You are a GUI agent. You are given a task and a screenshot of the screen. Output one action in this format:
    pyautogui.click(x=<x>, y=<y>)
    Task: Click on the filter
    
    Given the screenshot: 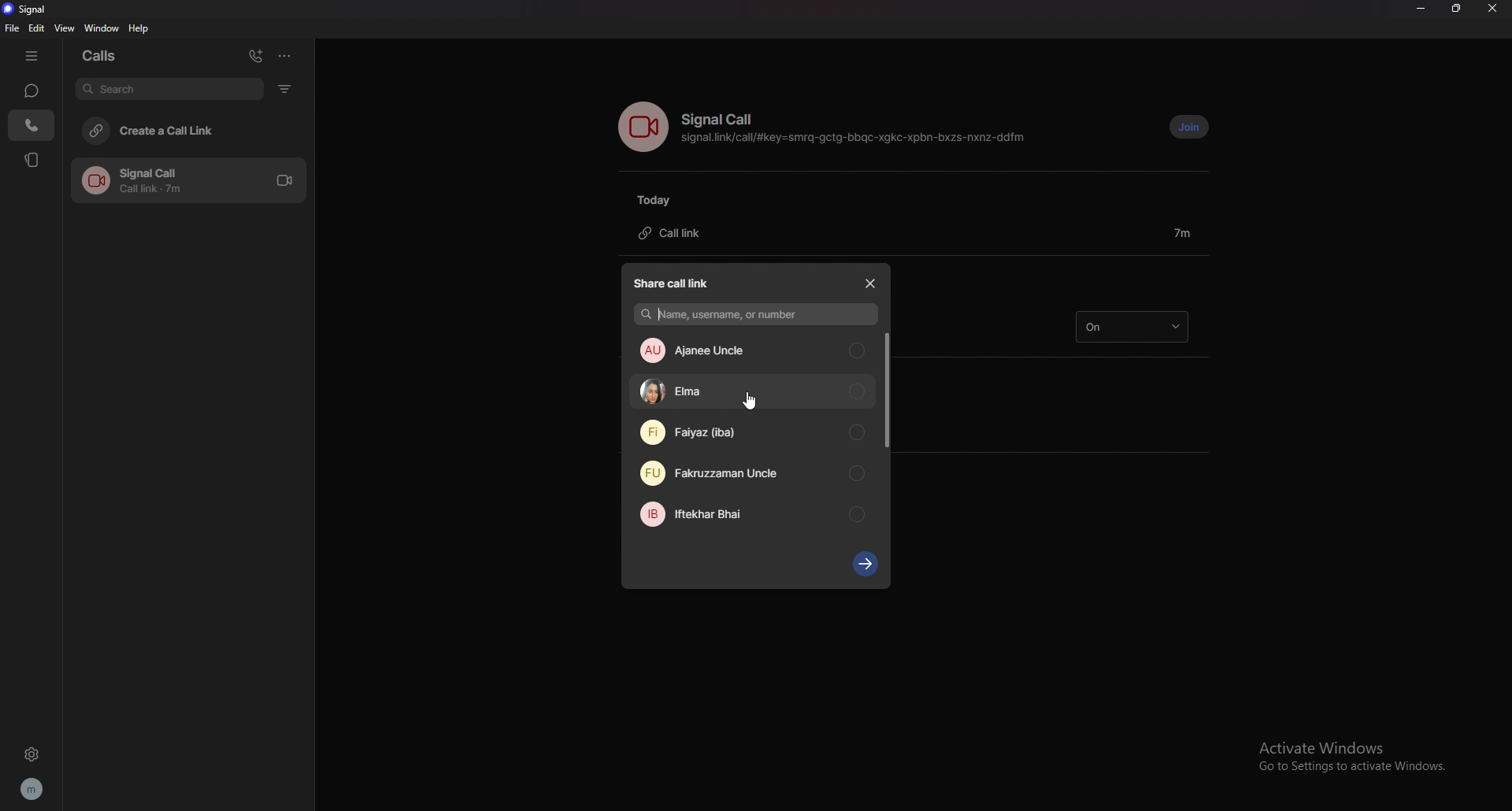 What is the action you would take?
    pyautogui.click(x=284, y=89)
    